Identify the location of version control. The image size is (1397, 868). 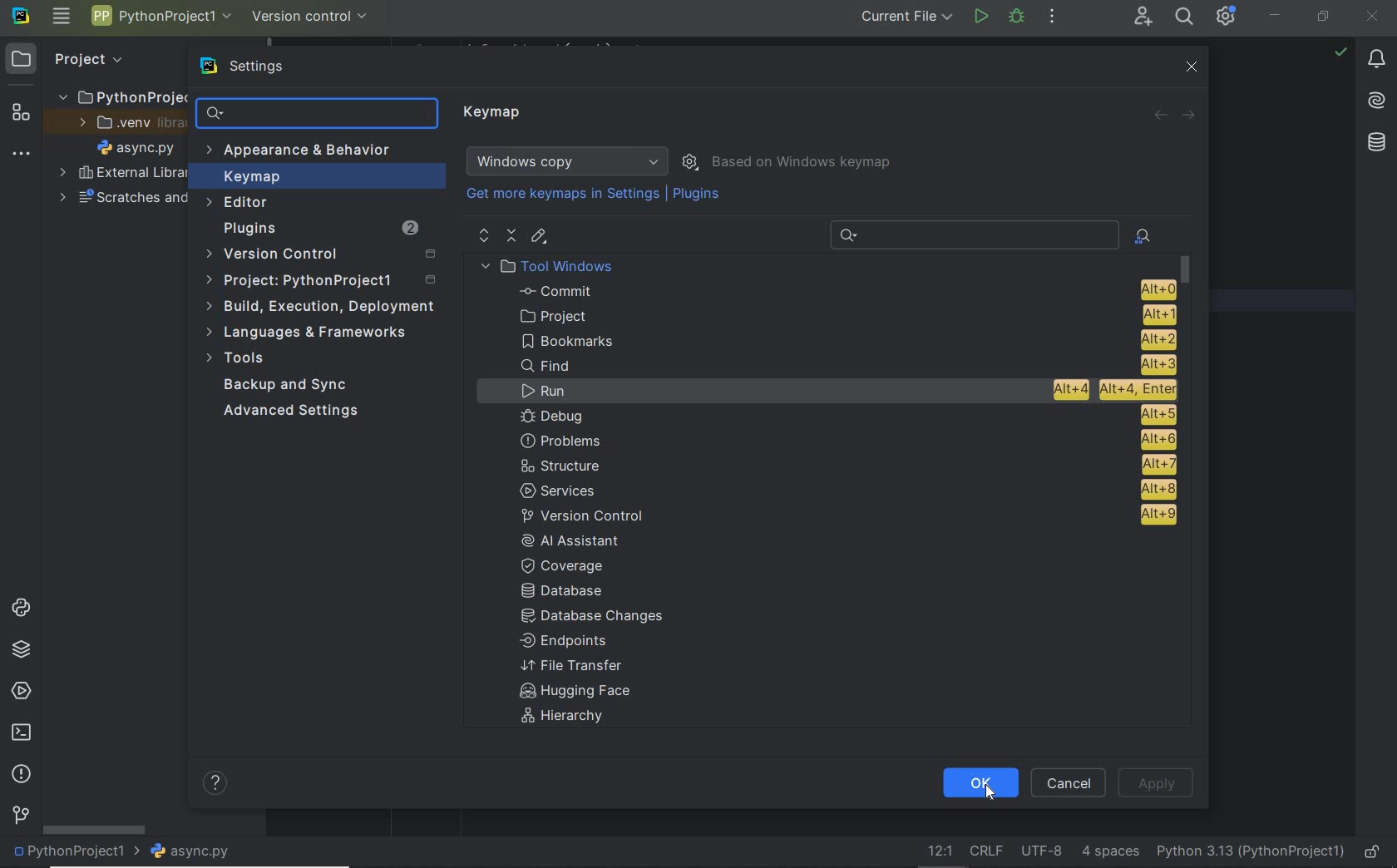
(843, 515).